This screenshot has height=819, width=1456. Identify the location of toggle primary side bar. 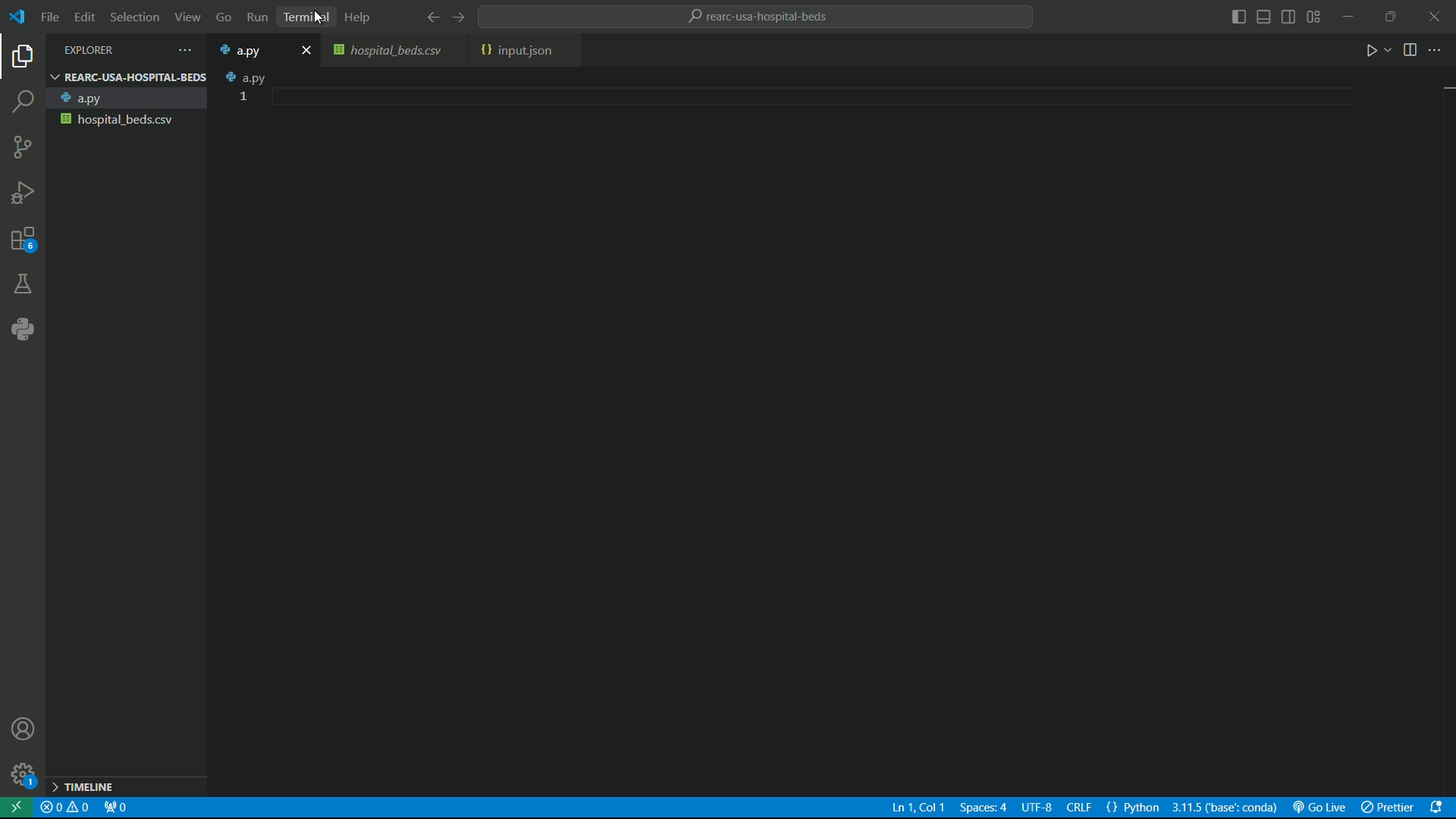
(1239, 17).